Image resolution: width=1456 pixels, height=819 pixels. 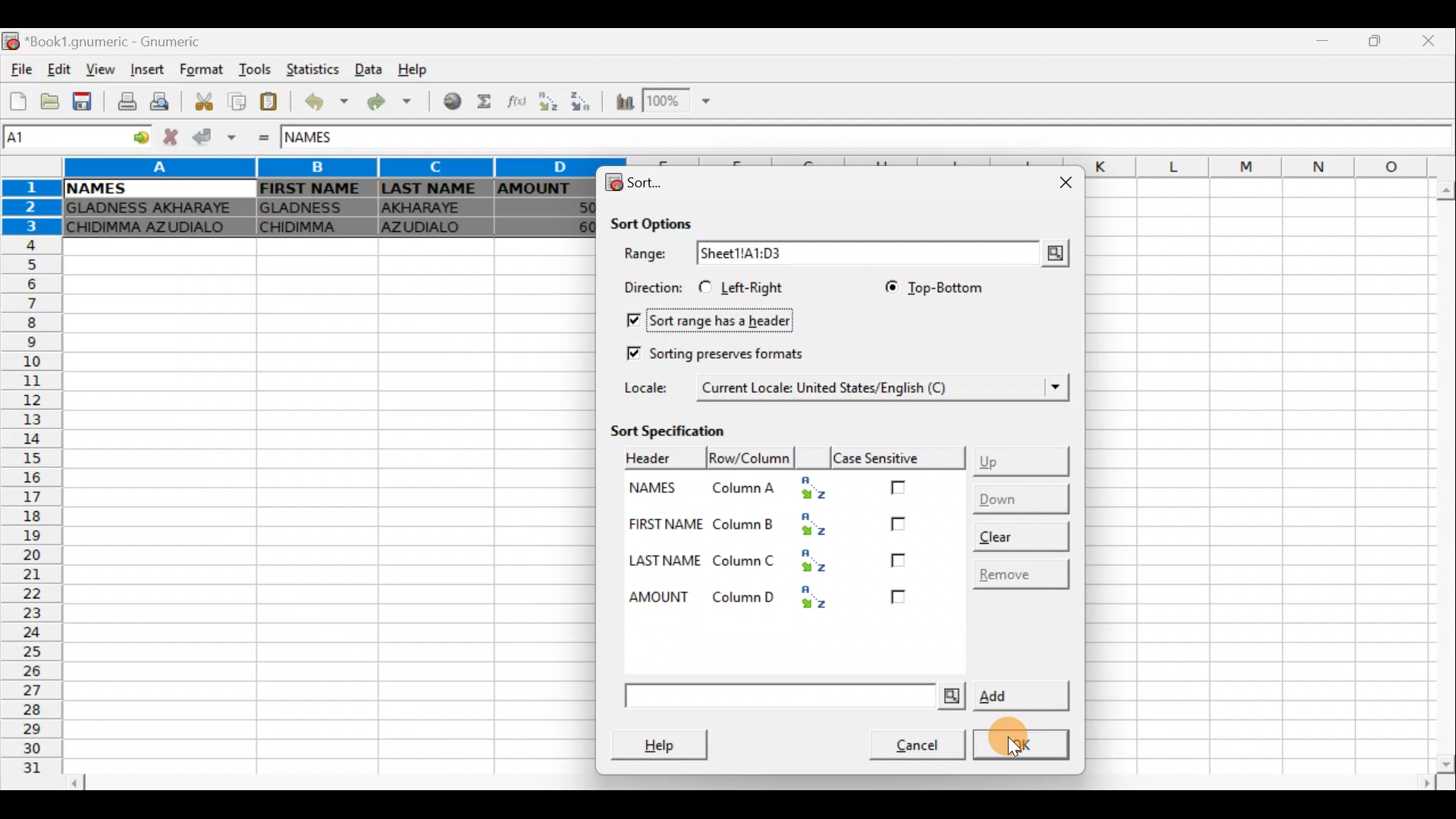 What do you see at coordinates (150, 69) in the screenshot?
I see `Insert` at bounding box center [150, 69].